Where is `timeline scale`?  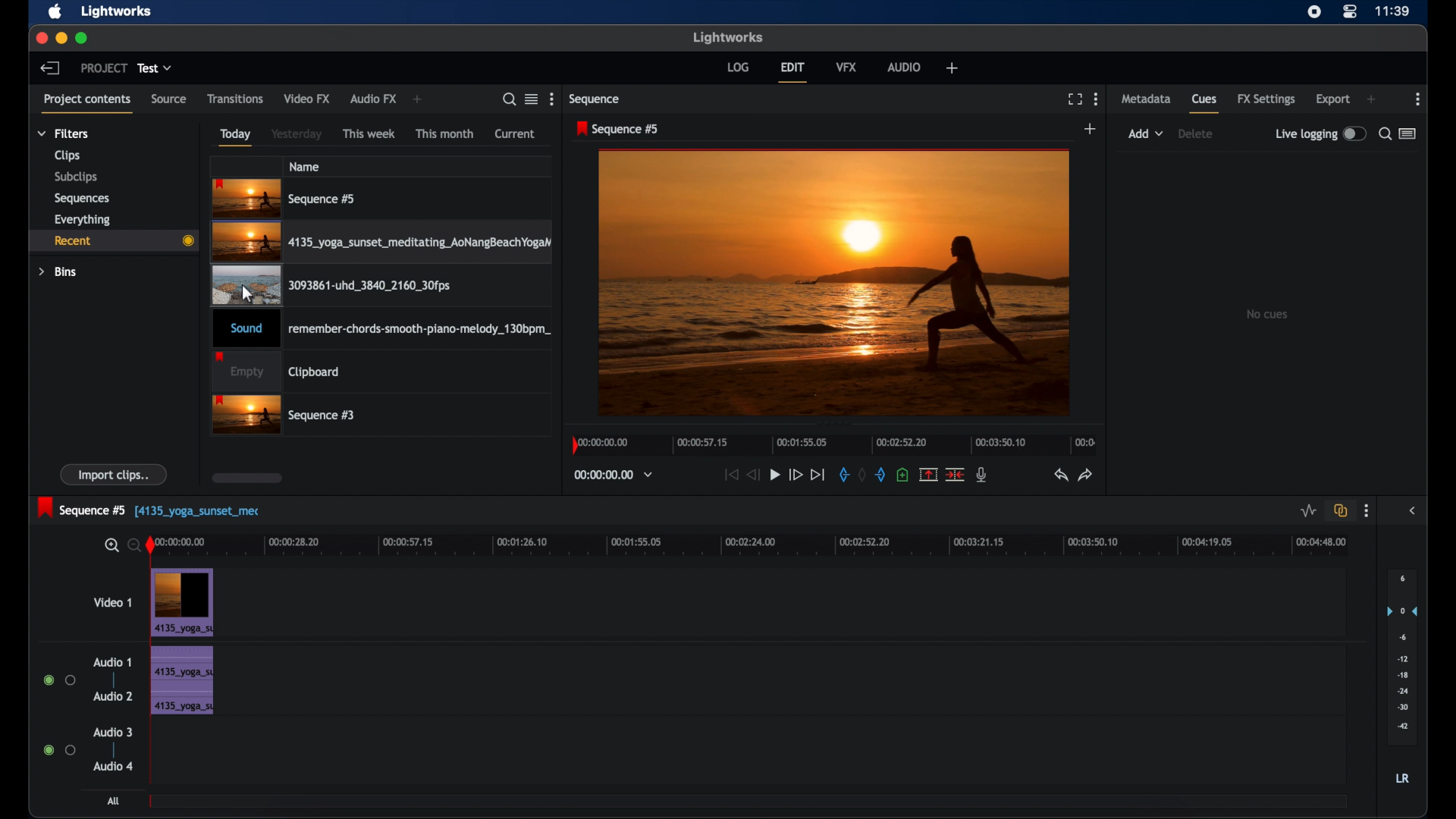
timeline scale is located at coordinates (833, 444).